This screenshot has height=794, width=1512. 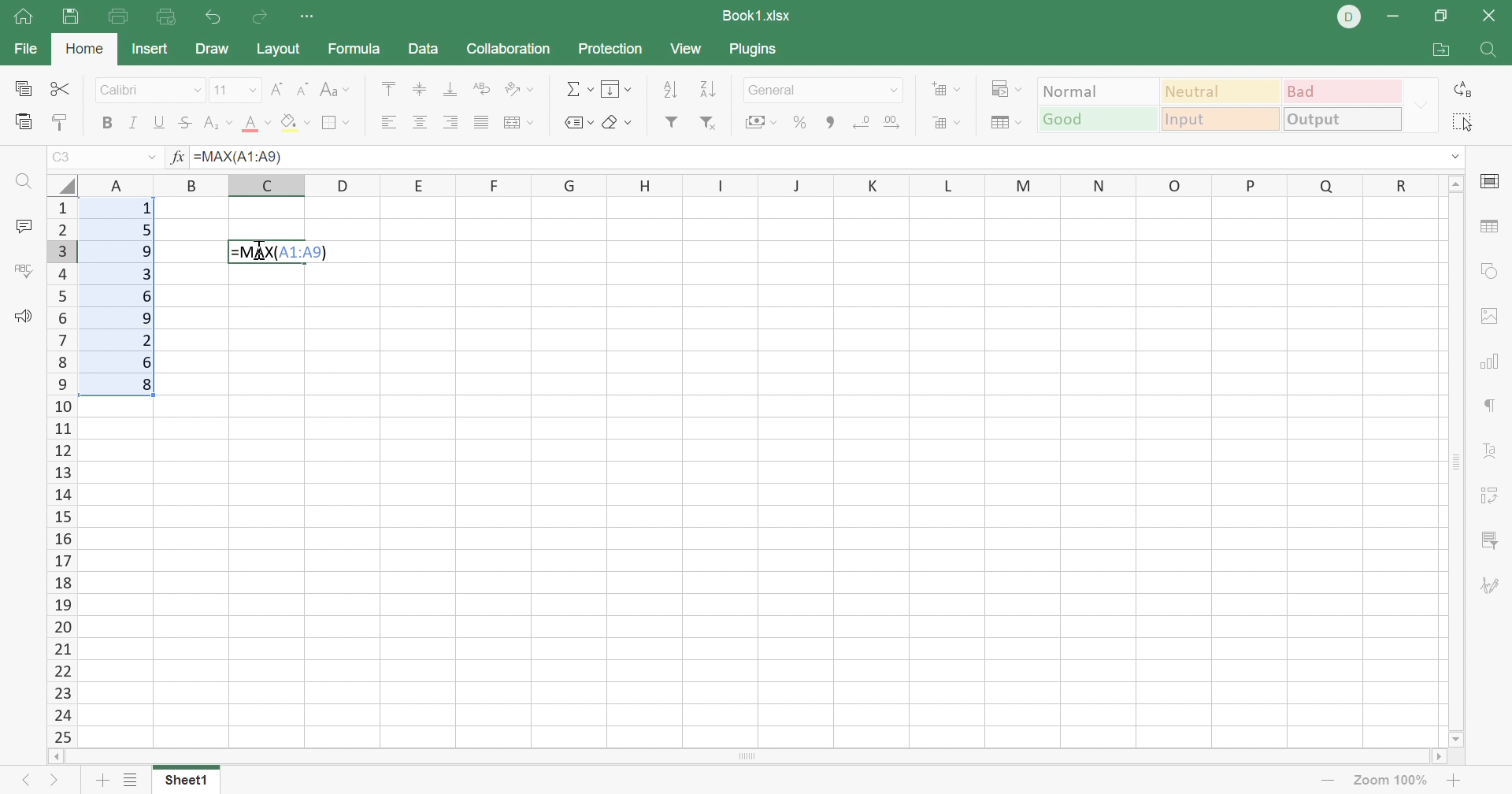 What do you see at coordinates (949, 124) in the screenshot?
I see `Format as table template` at bounding box center [949, 124].